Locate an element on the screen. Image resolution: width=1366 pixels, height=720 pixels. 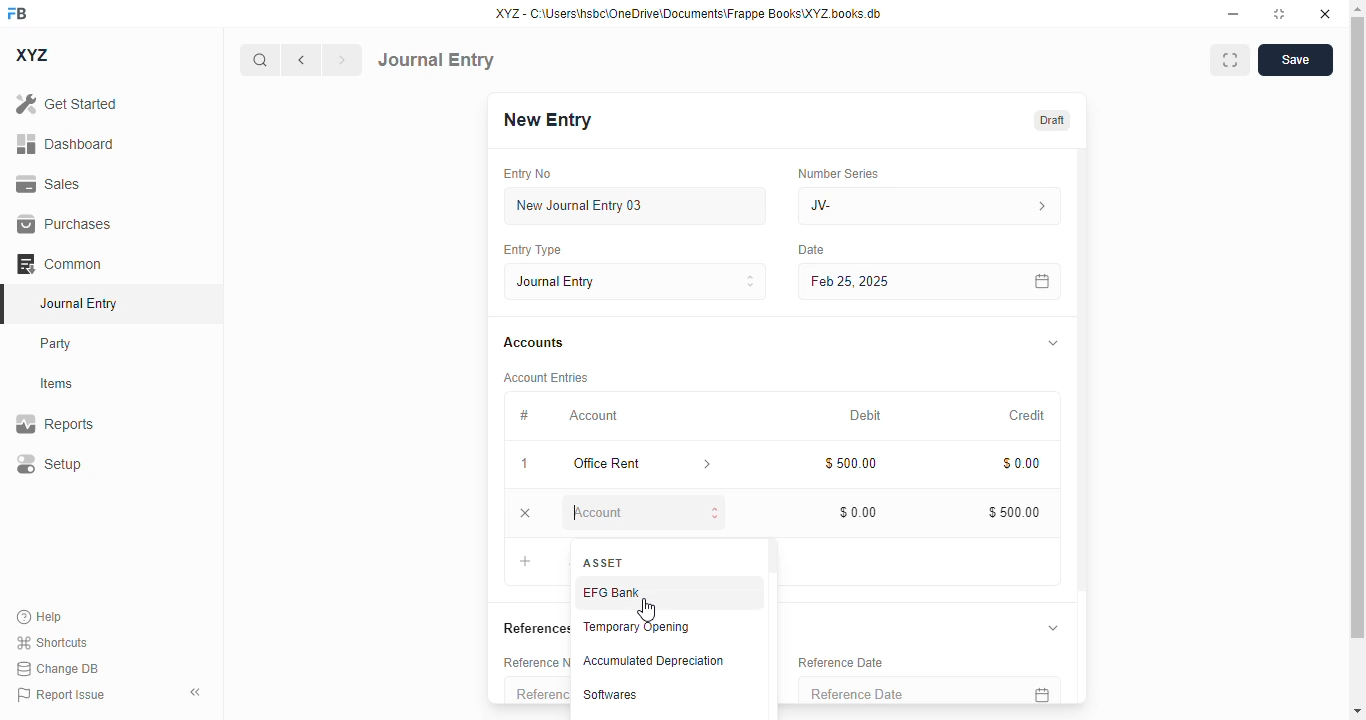
accumulated depreciation is located at coordinates (654, 661).